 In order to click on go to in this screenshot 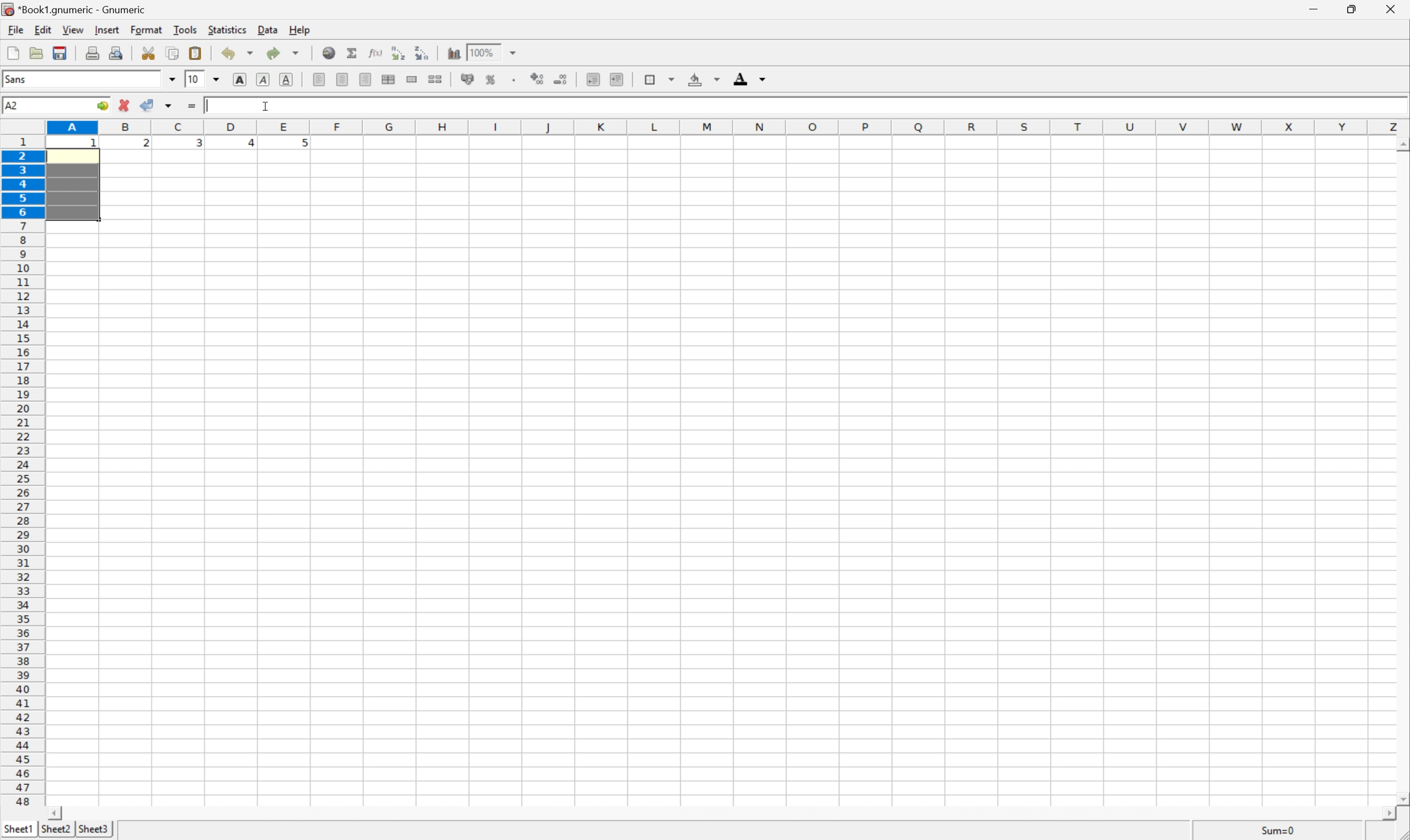, I will do `click(103, 106)`.